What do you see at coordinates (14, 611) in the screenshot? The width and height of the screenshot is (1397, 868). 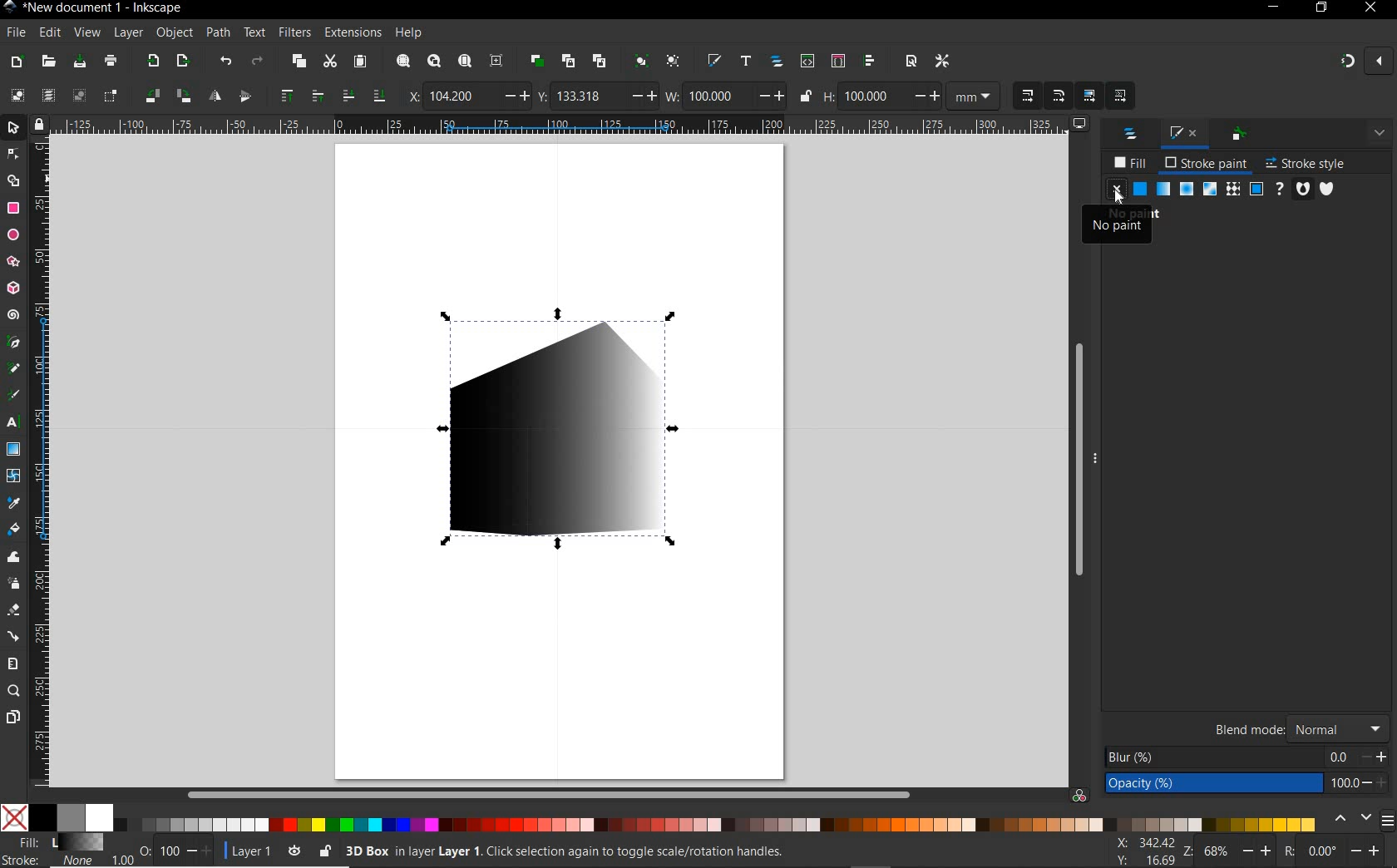 I see `ERASER TOOL` at bounding box center [14, 611].